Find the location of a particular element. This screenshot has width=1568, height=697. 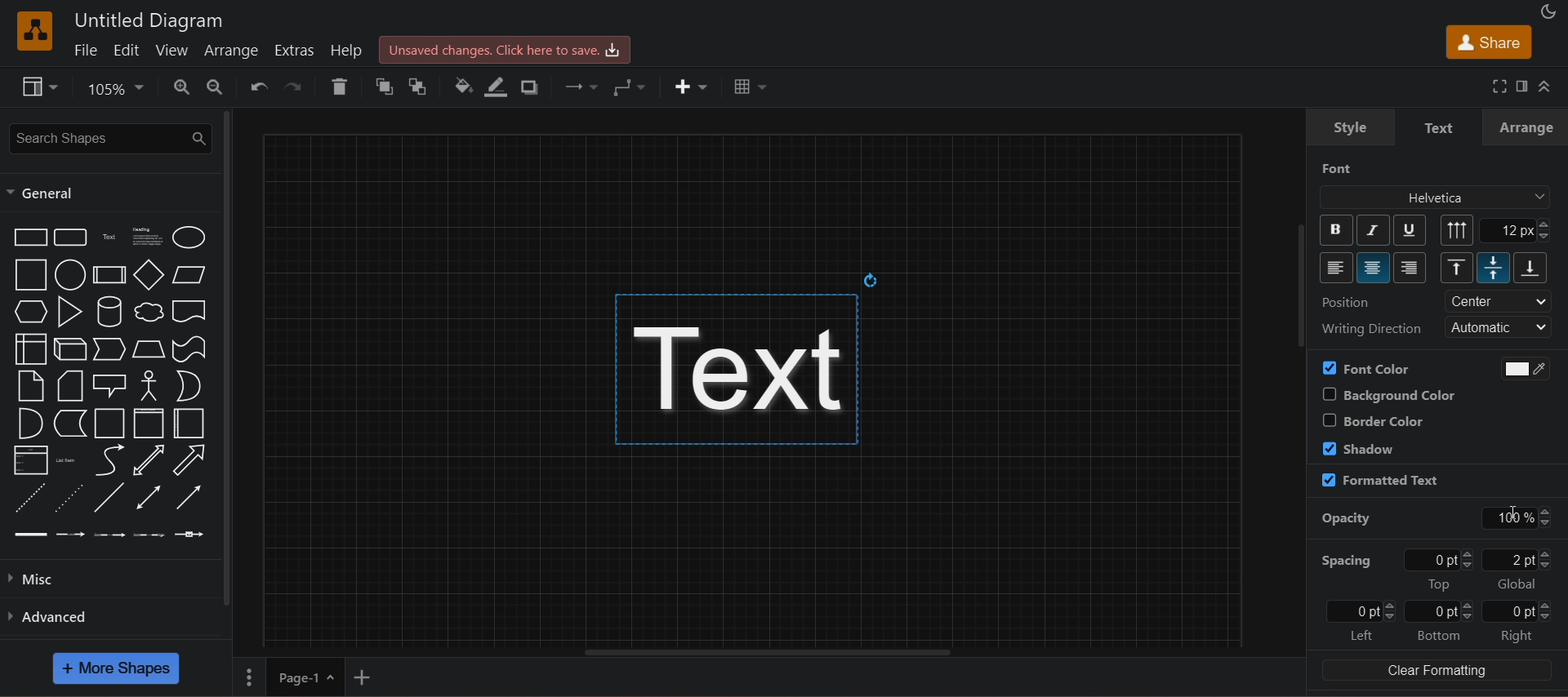

middle is located at coordinates (1493, 268).